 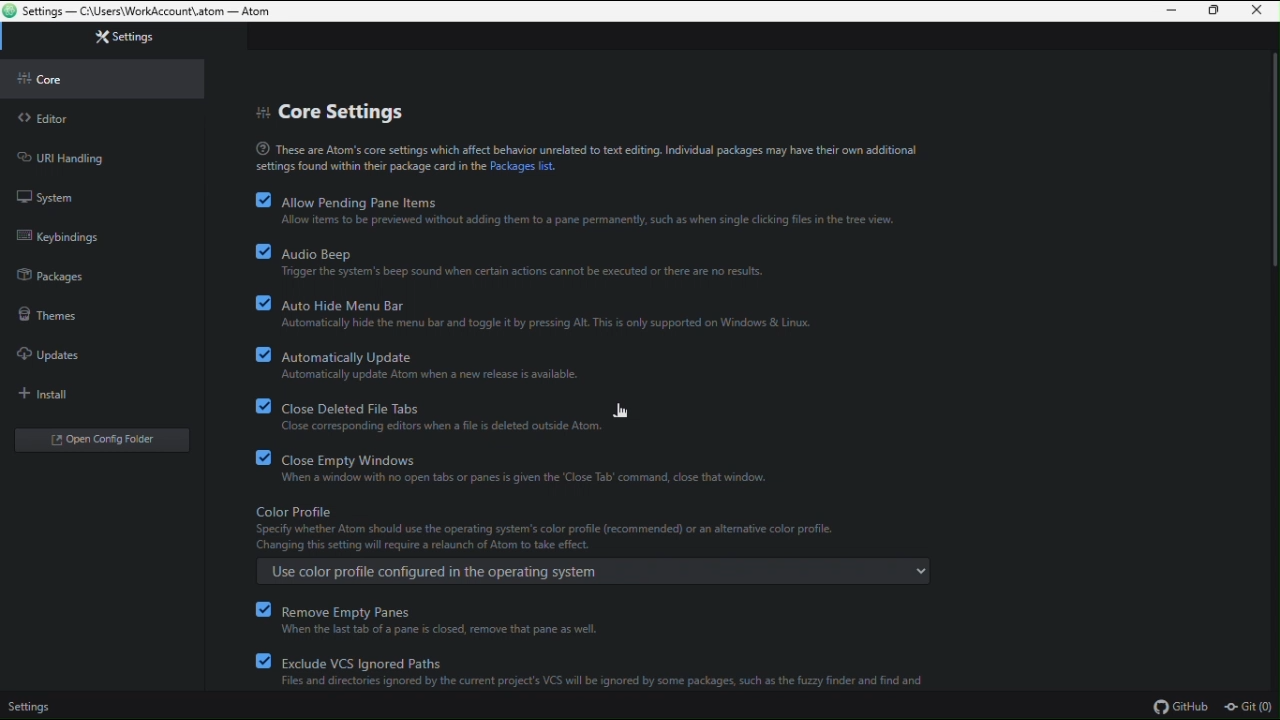 I want to click on github, so click(x=1187, y=708).